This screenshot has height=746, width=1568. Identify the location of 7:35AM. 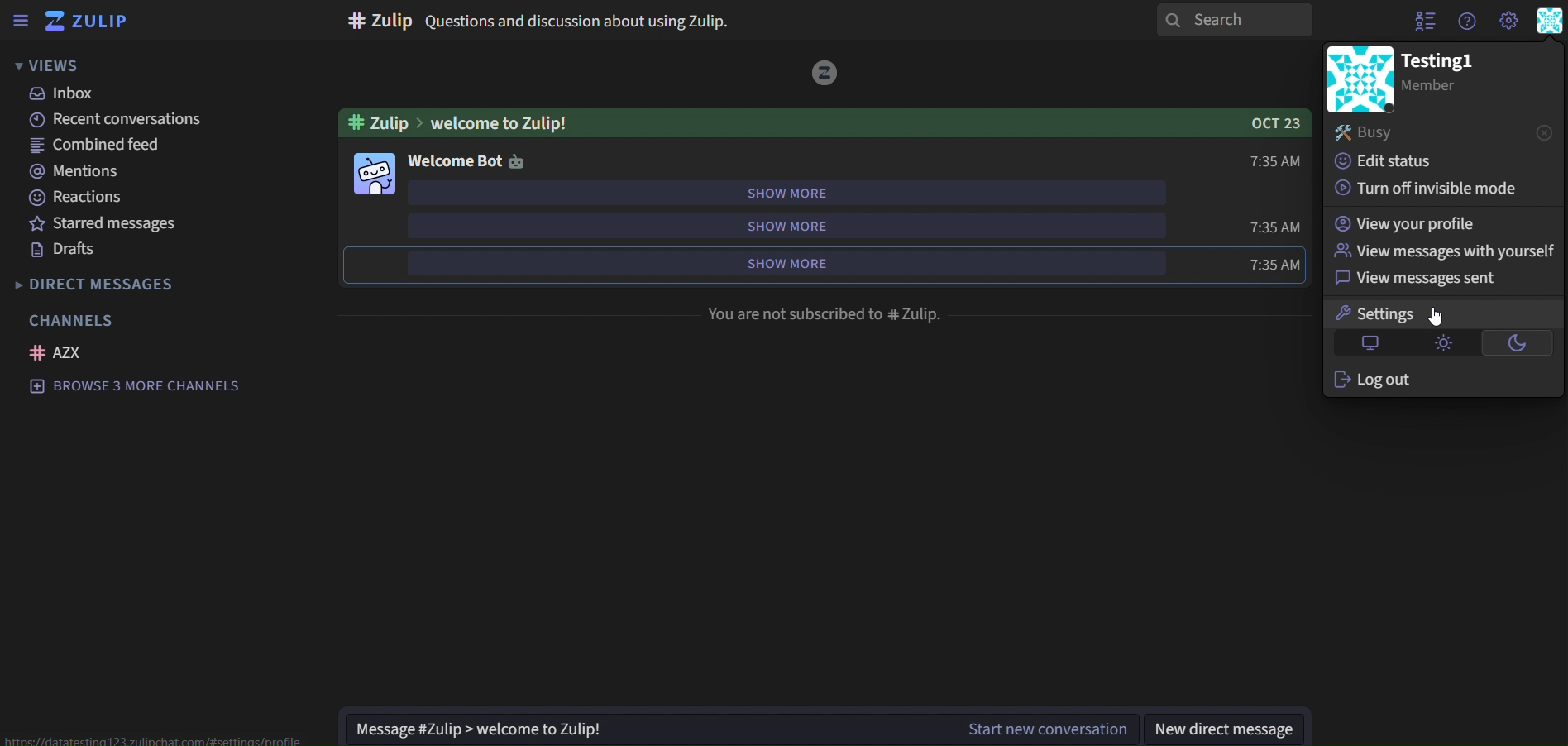
(1277, 226).